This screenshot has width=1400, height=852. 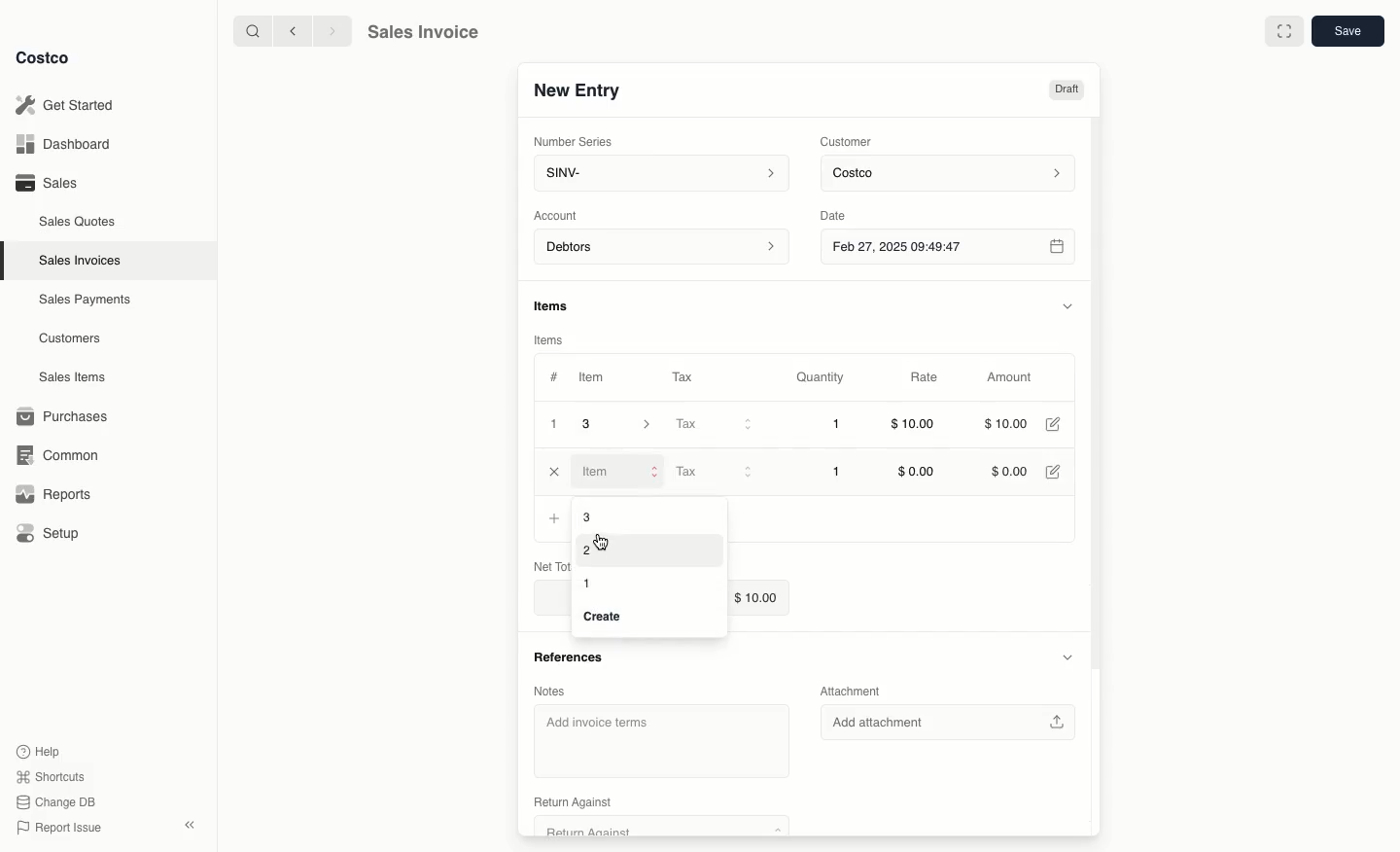 I want to click on Tax, so click(x=712, y=471).